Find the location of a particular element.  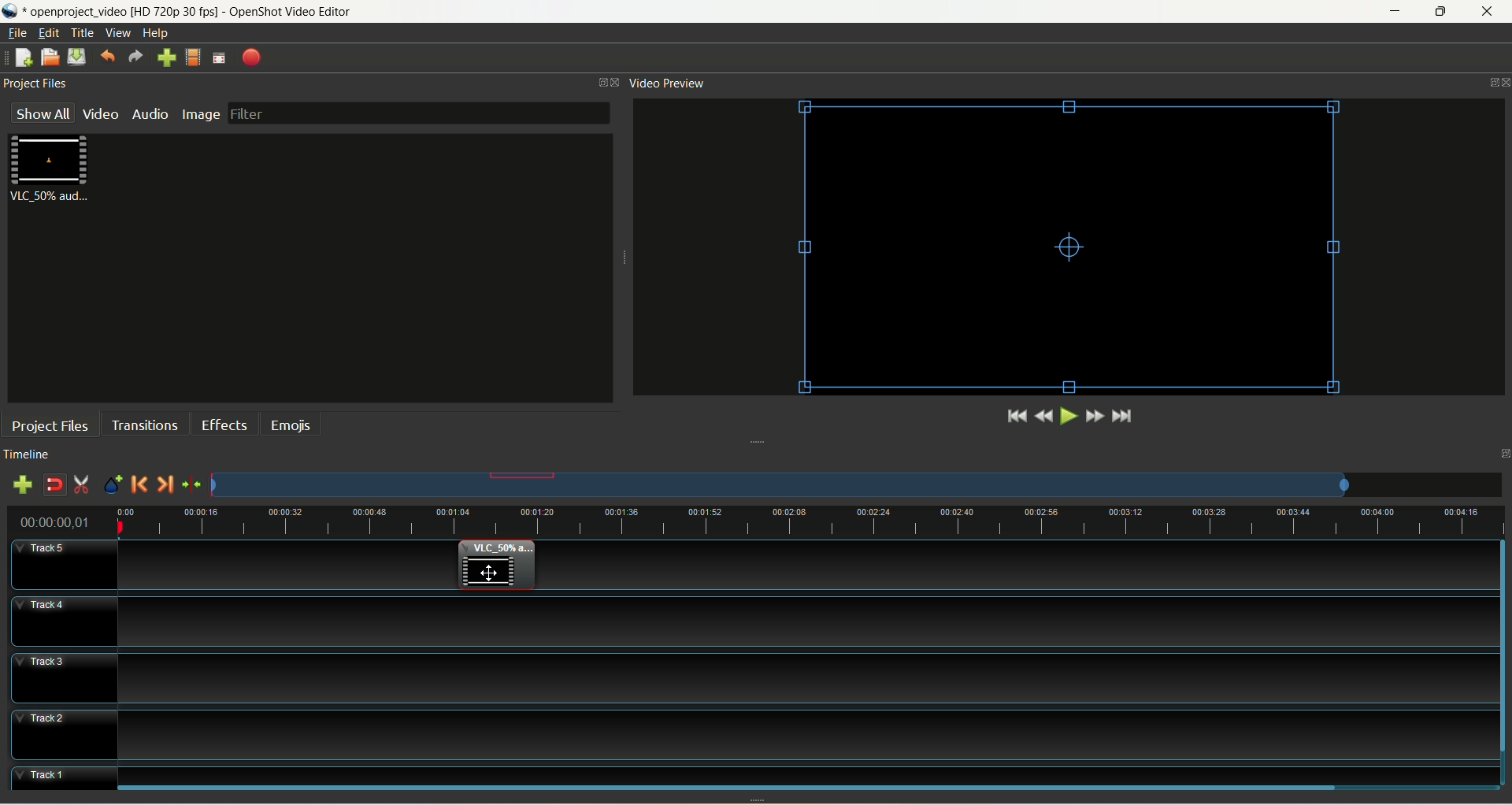

jump to start is located at coordinates (1015, 417).